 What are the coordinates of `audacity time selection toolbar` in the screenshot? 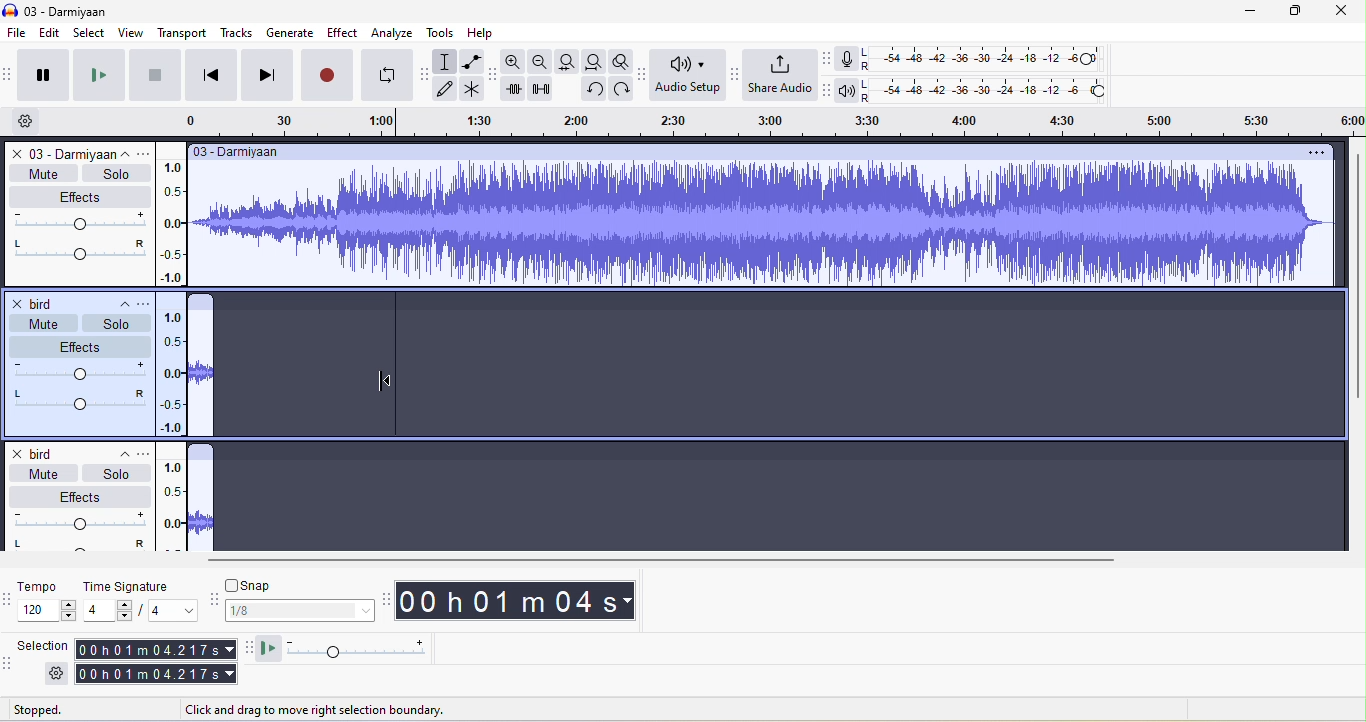 It's located at (9, 598).